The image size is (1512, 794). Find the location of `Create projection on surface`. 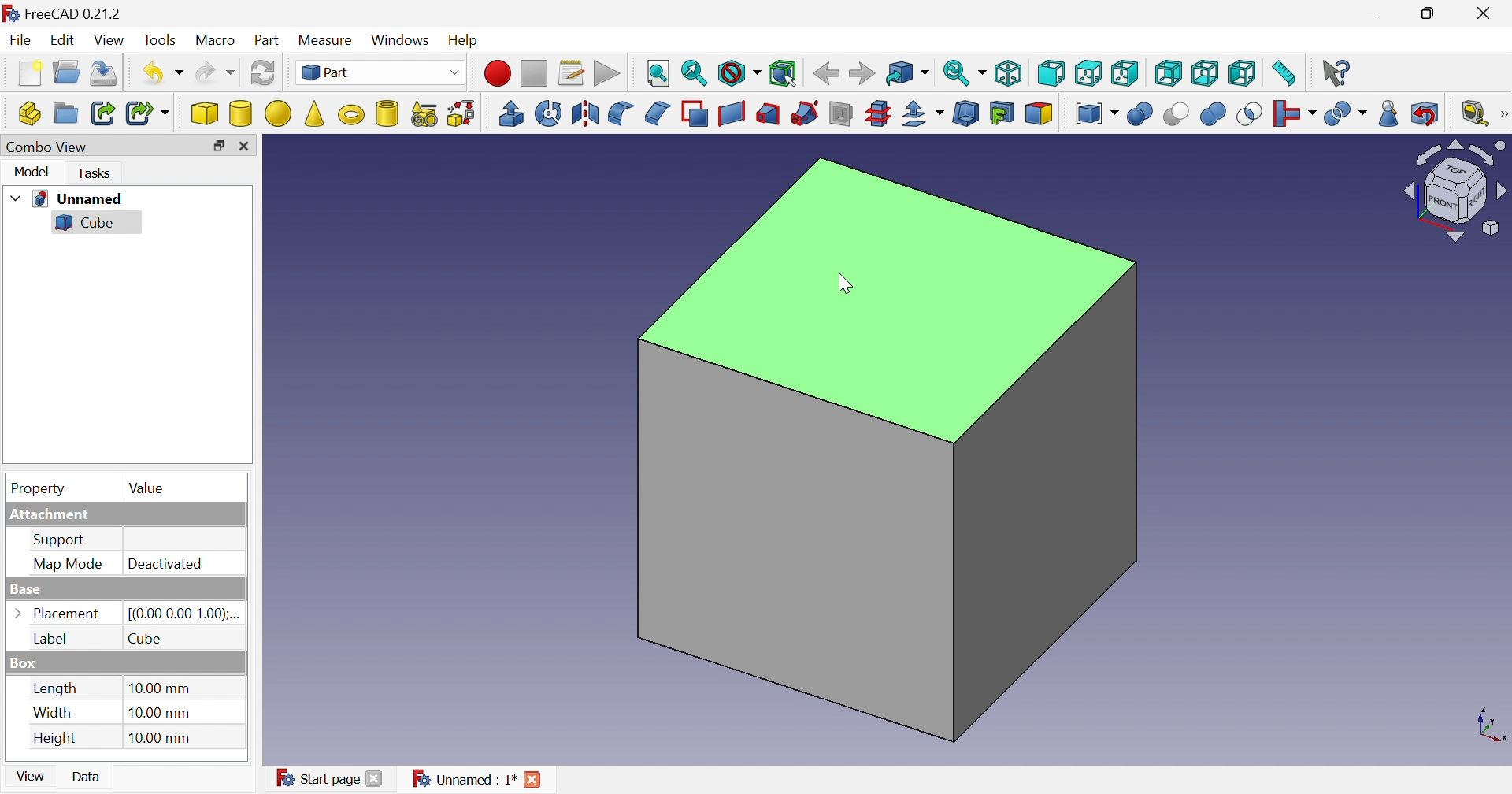

Create projection on surface is located at coordinates (1002, 113).